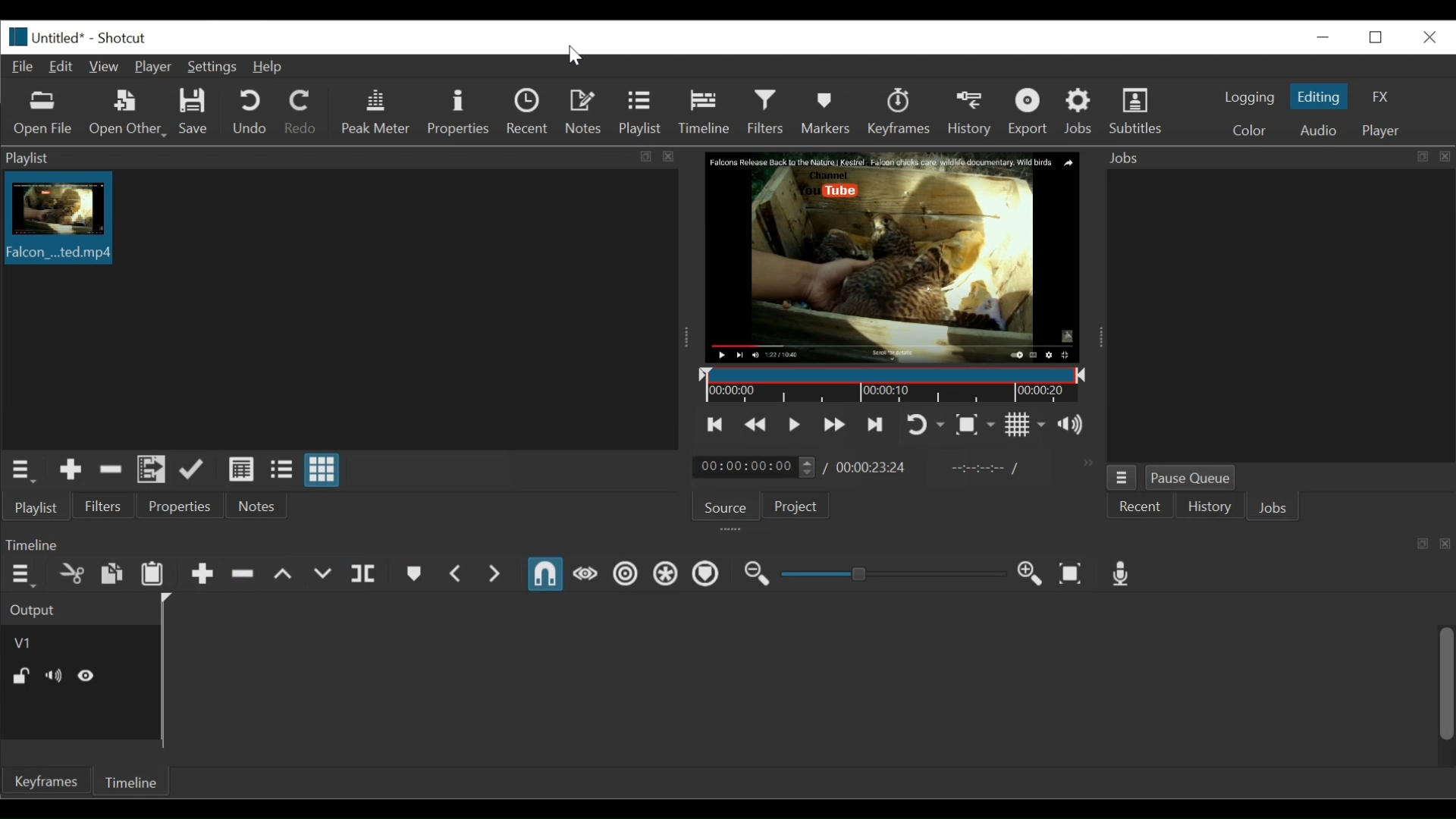 The image size is (1456, 819). What do you see at coordinates (54, 676) in the screenshot?
I see `Mute` at bounding box center [54, 676].